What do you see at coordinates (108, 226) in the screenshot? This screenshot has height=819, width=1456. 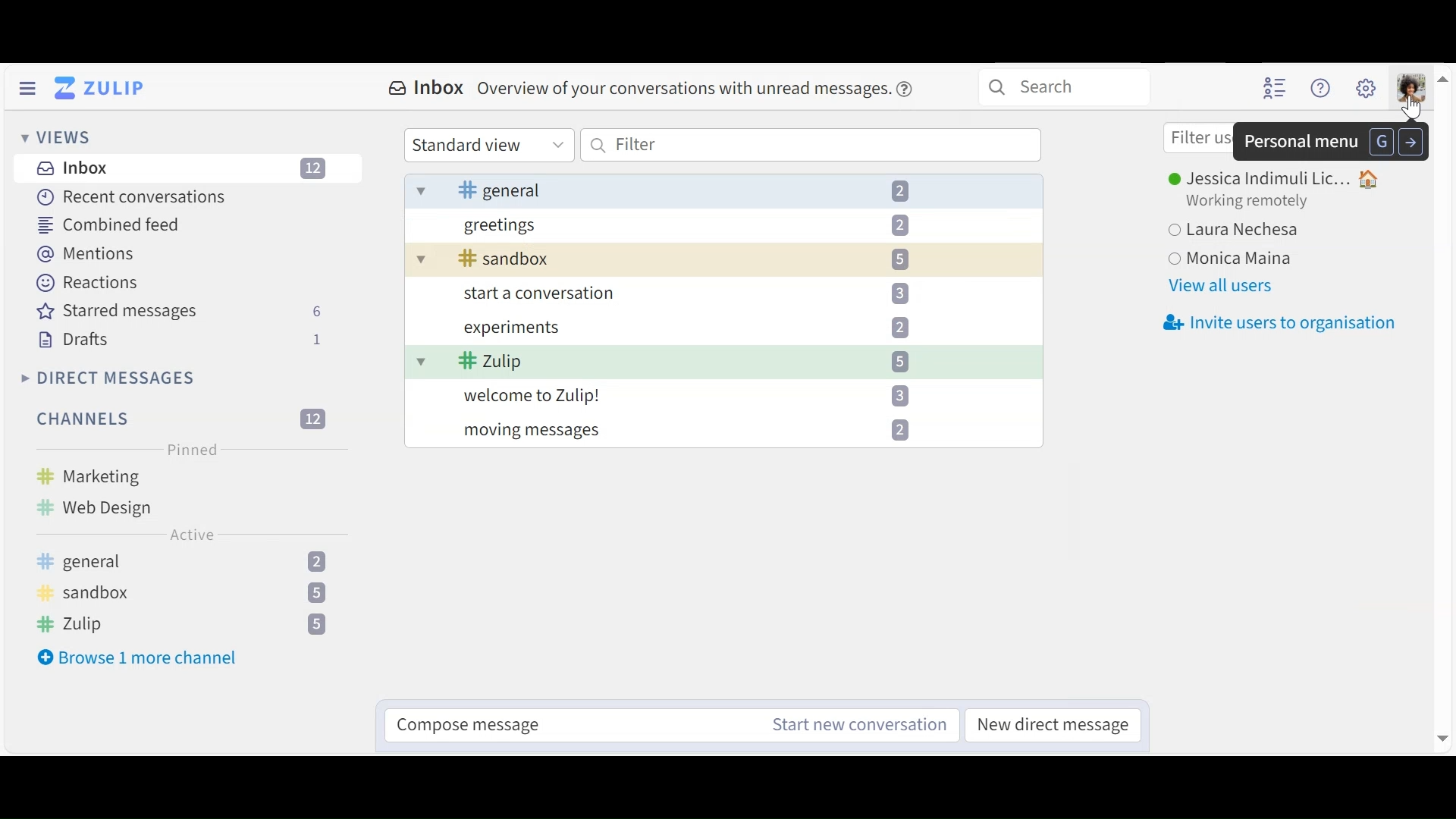 I see `Combined feed` at bounding box center [108, 226].